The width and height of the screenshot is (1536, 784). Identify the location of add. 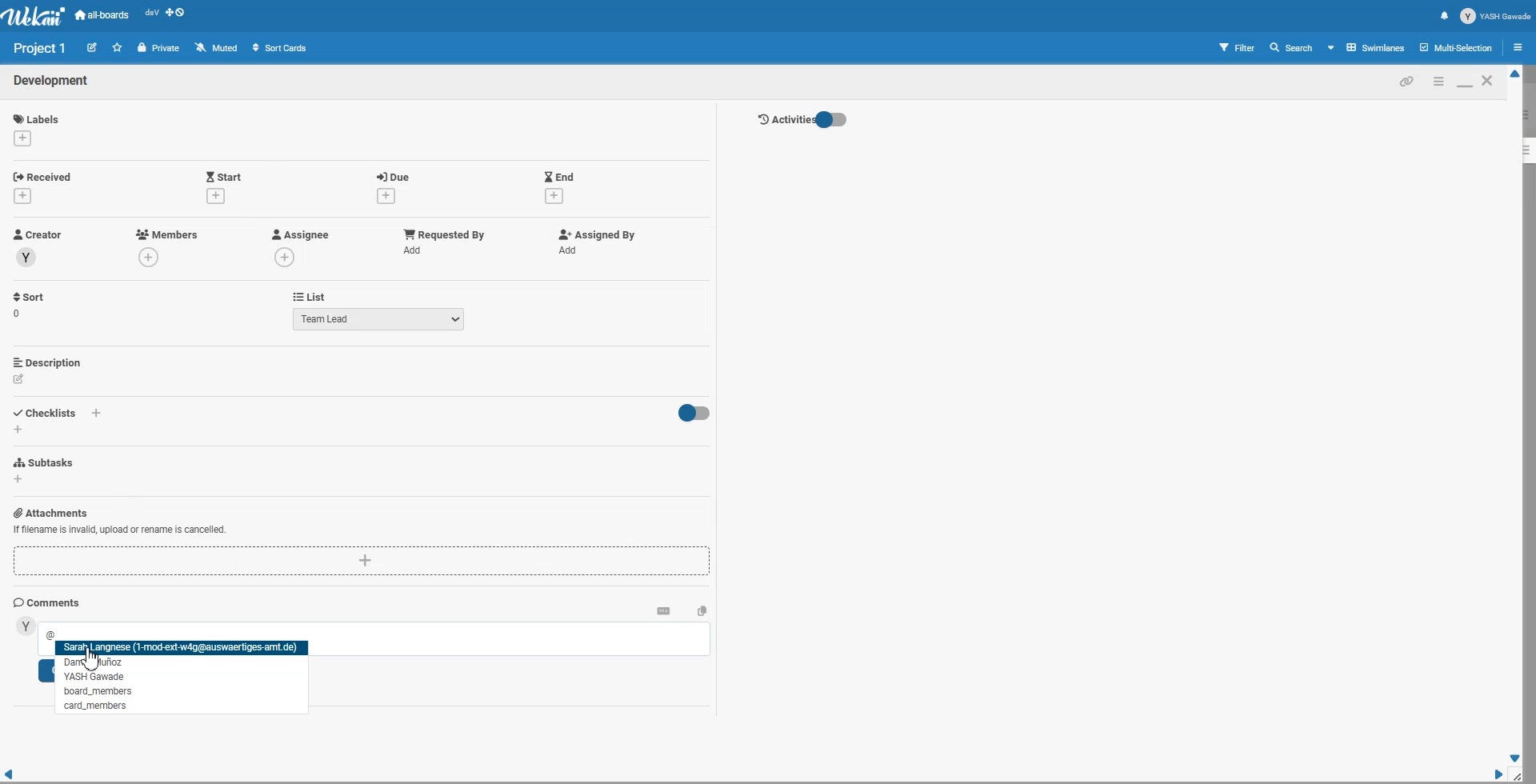
(18, 429).